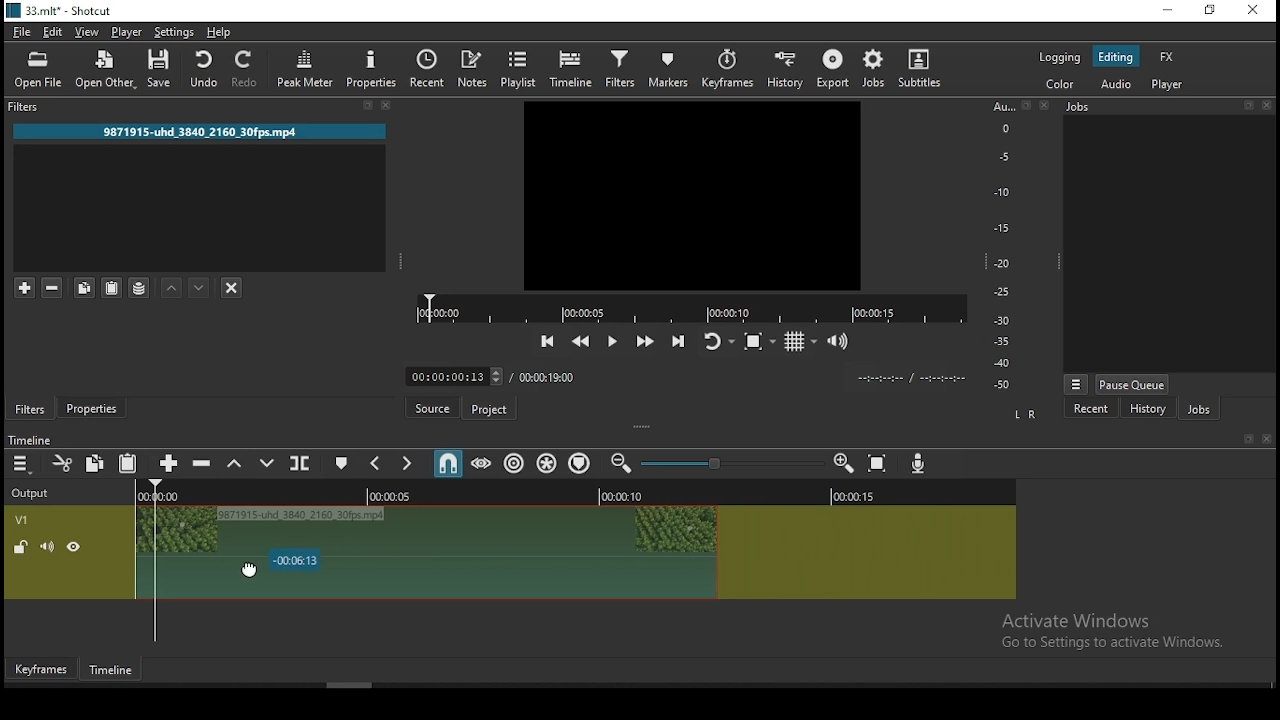 This screenshot has width=1280, height=720. I want to click on playback time, so click(686, 307).